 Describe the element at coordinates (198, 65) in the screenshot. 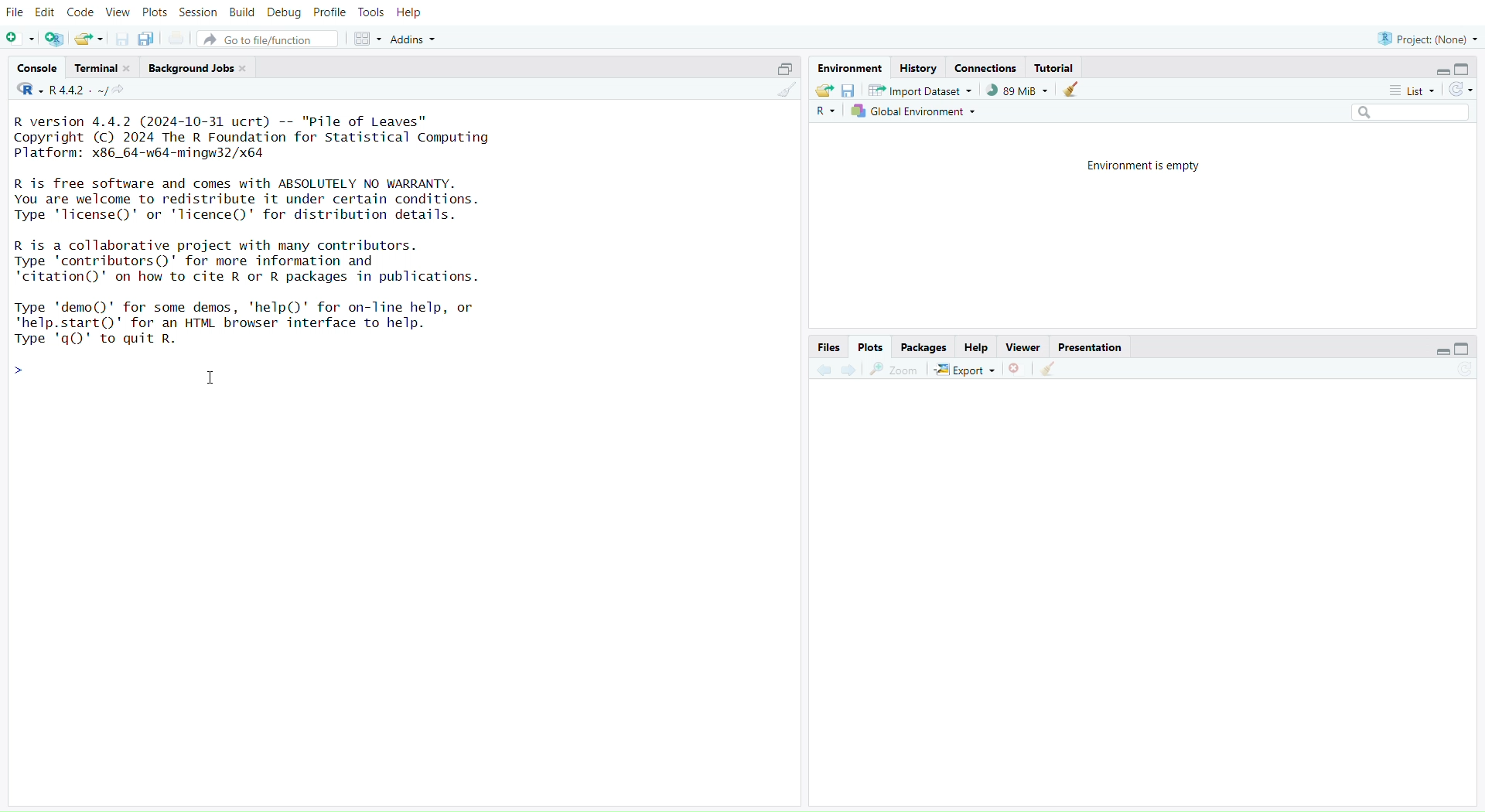

I see `Background Jobs` at that location.